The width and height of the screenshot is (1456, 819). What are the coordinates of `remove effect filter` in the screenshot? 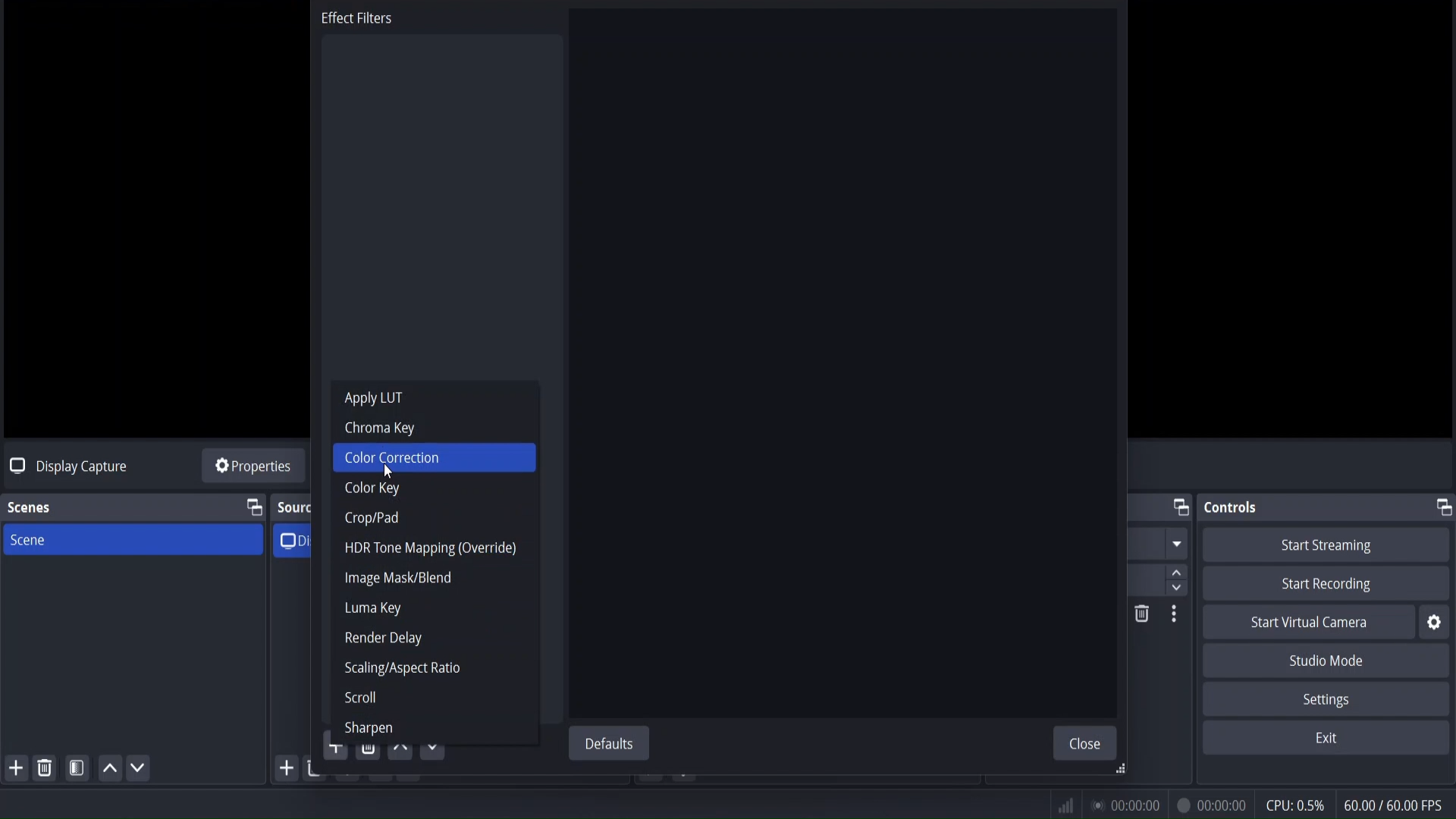 It's located at (369, 753).